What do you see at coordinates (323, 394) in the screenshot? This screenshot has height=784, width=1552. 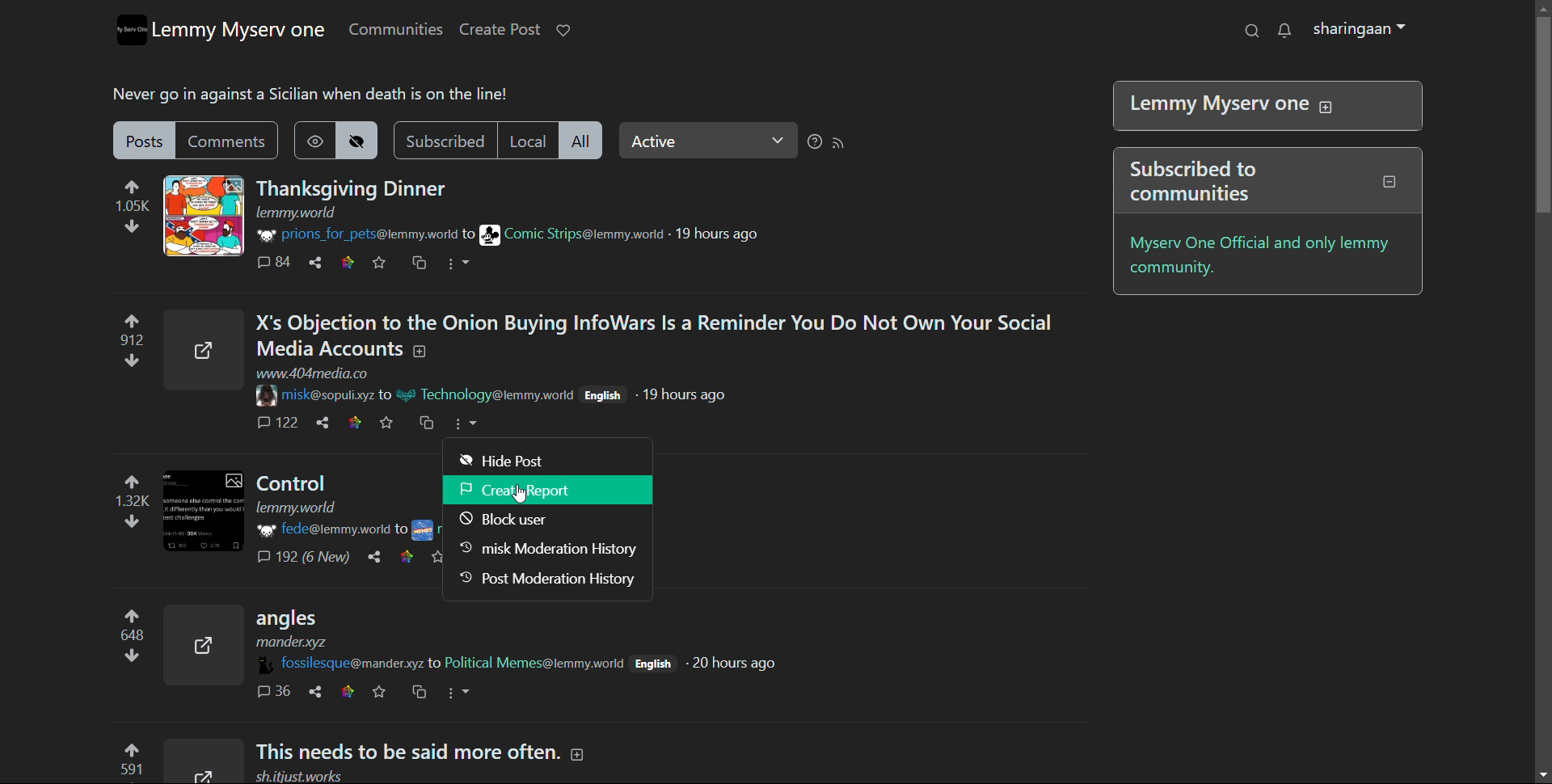 I see `username` at bounding box center [323, 394].